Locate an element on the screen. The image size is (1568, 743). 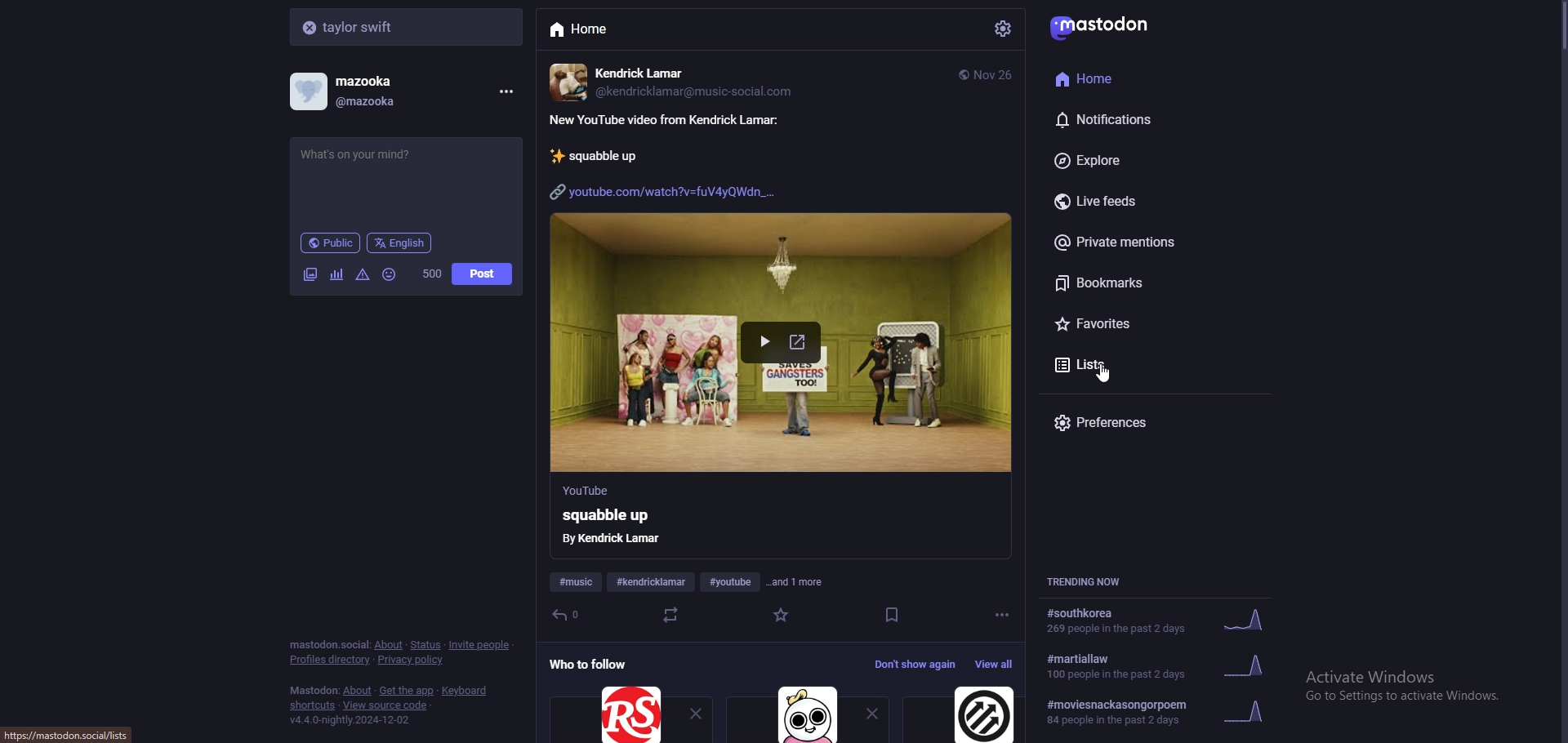
private mentions is located at coordinates (1153, 242).